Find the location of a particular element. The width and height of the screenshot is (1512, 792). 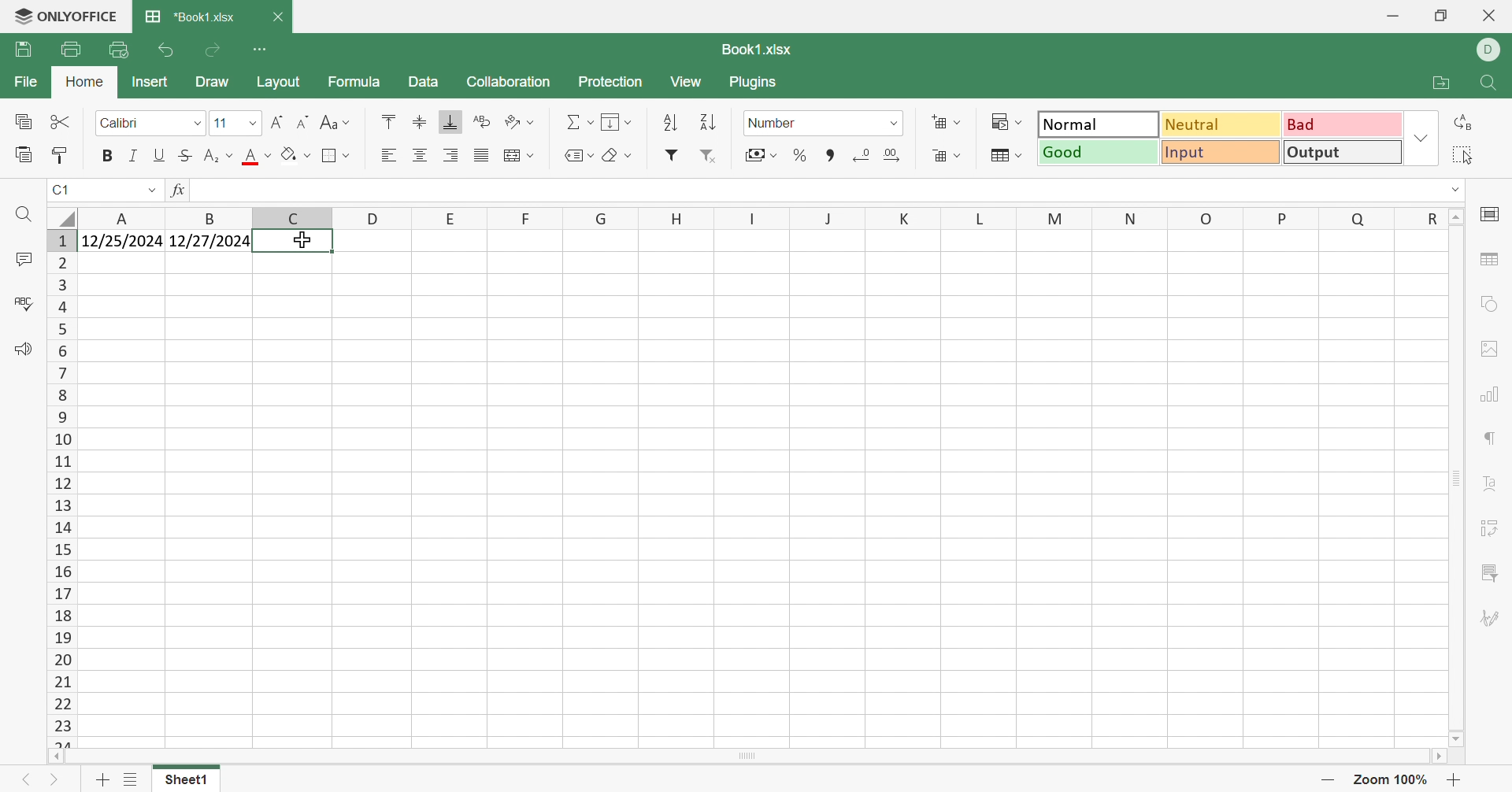

Scroll Down is located at coordinates (1454, 741).